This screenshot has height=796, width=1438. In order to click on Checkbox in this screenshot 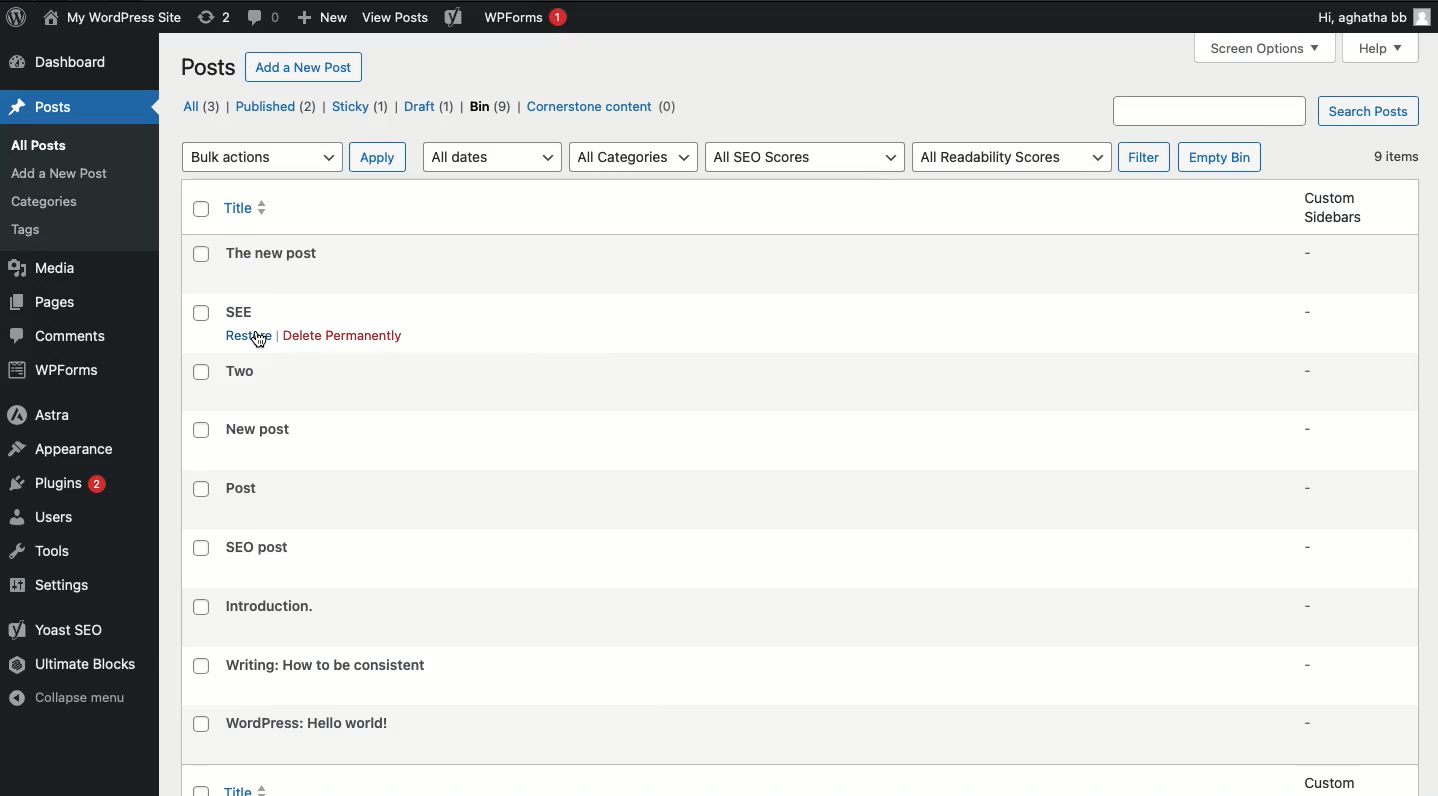, I will do `click(202, 724)`.